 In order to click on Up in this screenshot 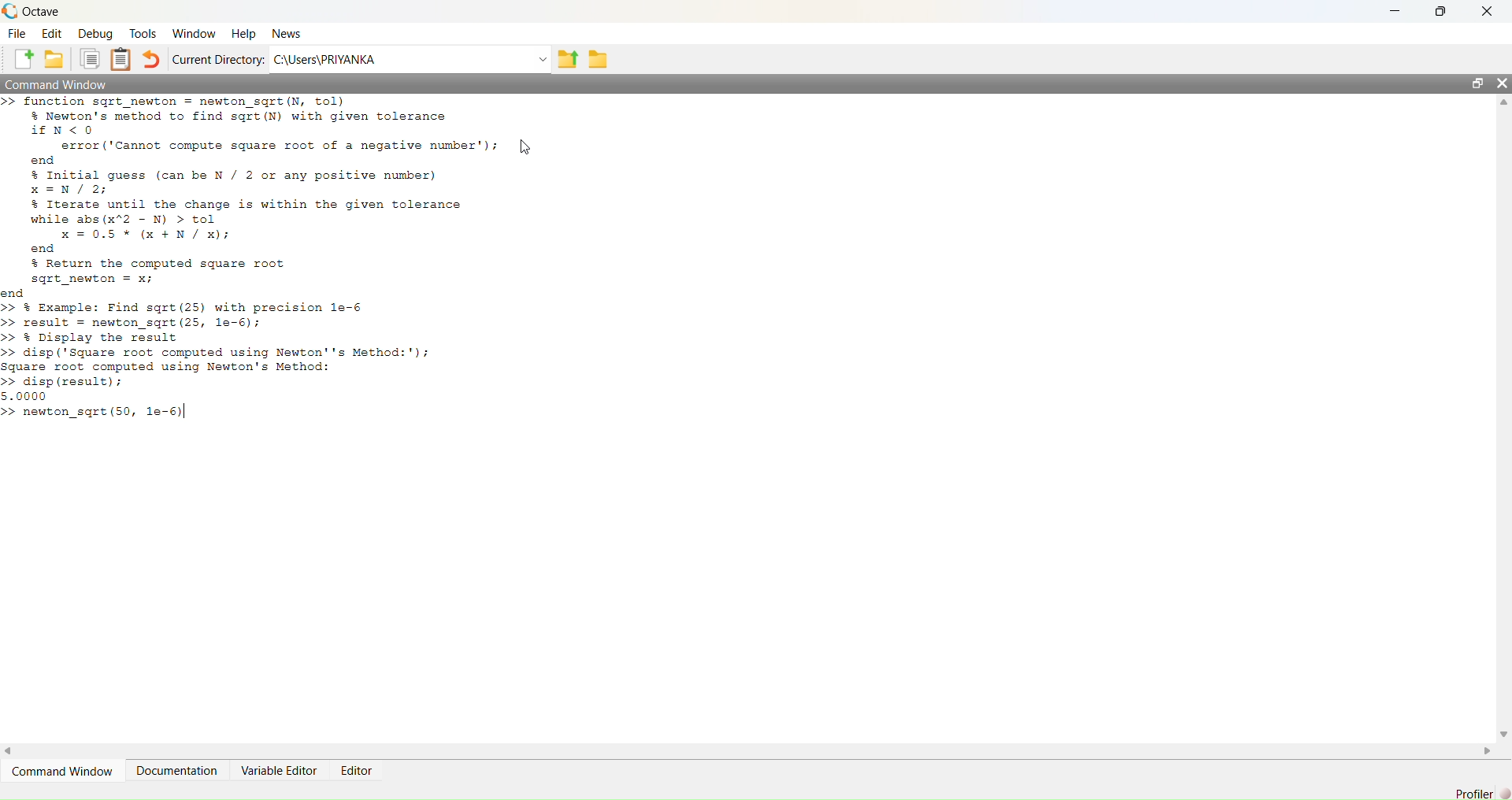, I will do `click(1502, 103)`.